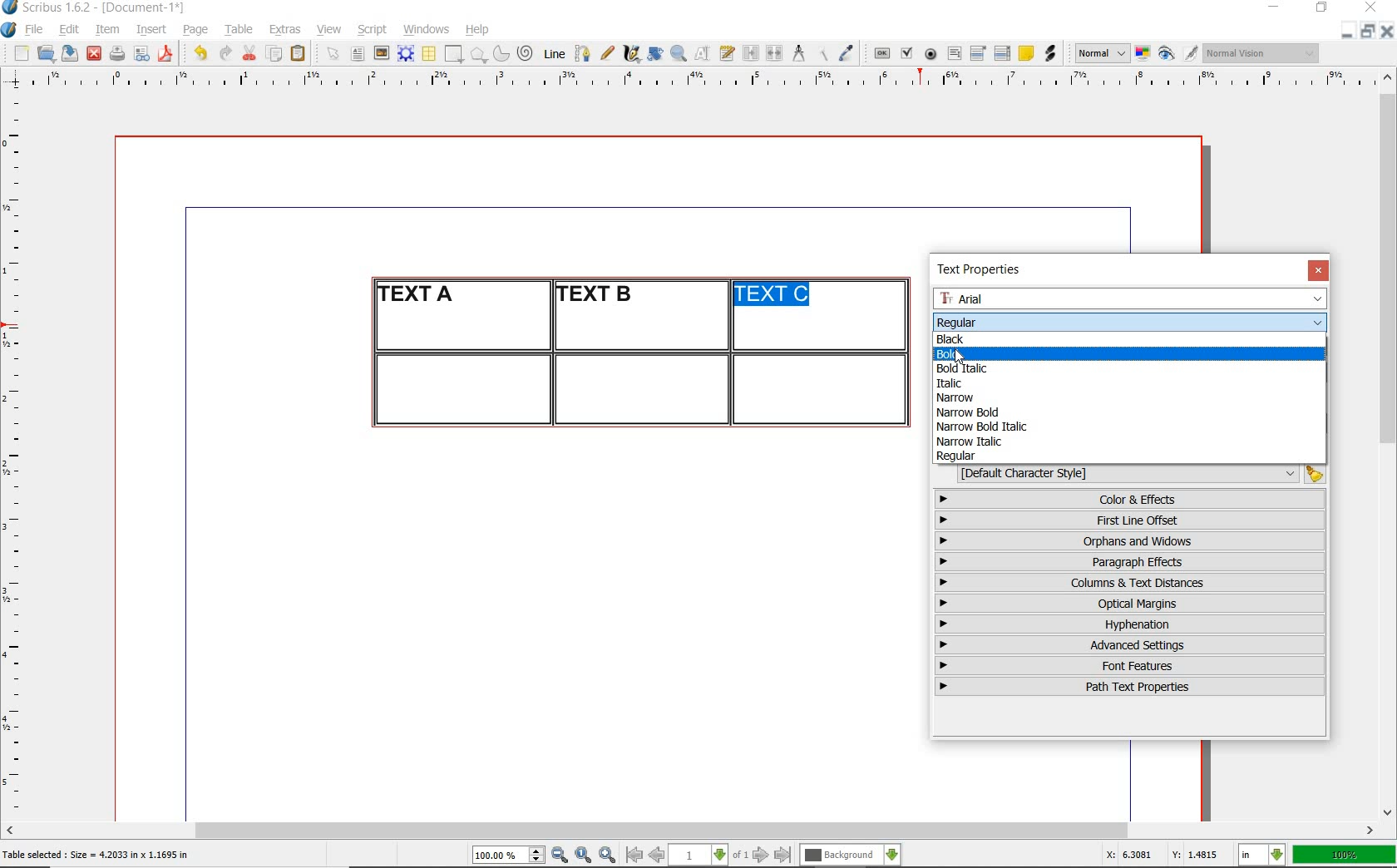 This screenshot has height=868, width=1397. What do you see at coordinates (19, 53) in the screenshot?
I see `new` at bounding box center [19, 53].